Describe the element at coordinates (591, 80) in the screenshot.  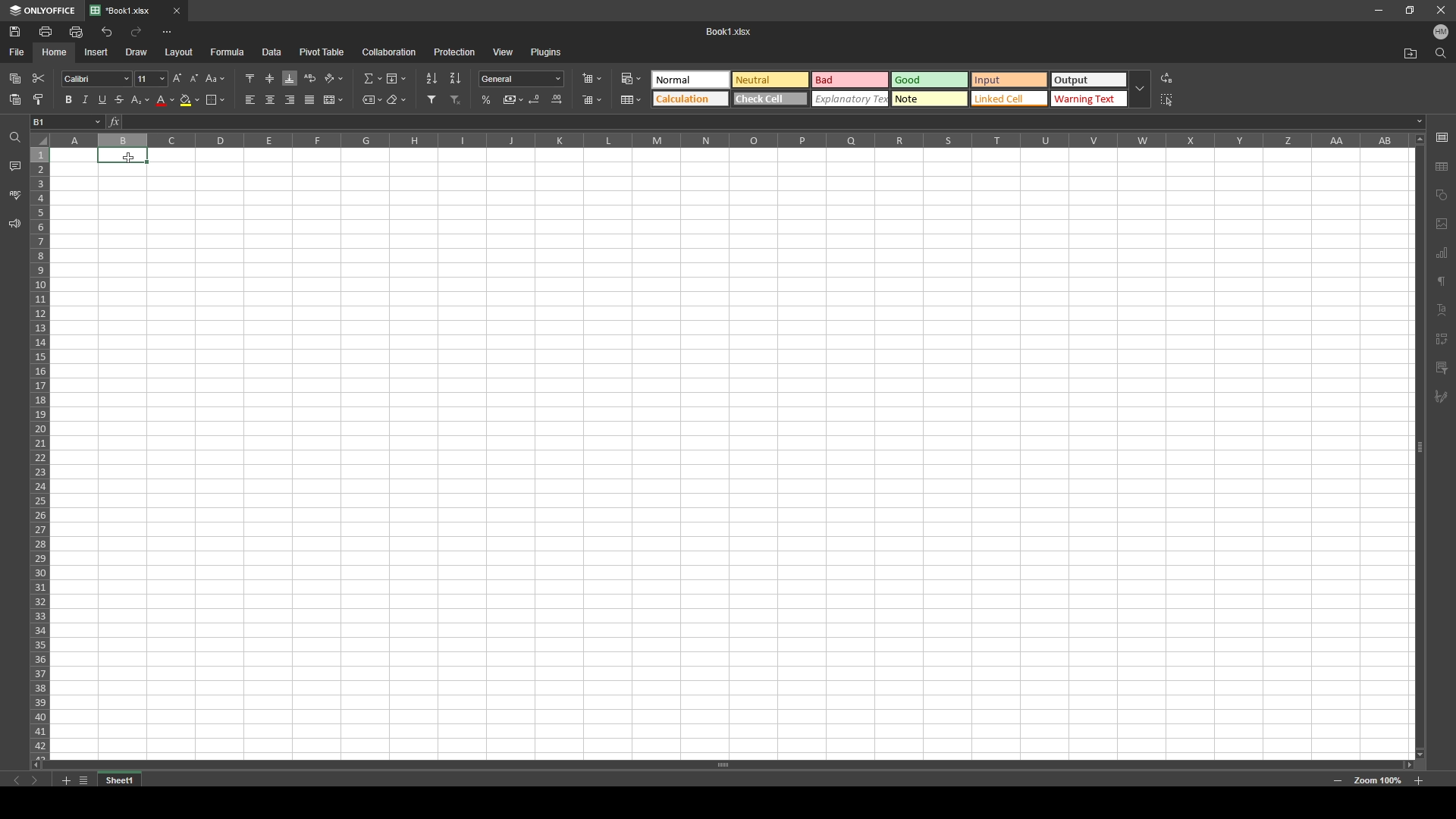
I see `insert cells` at that location.